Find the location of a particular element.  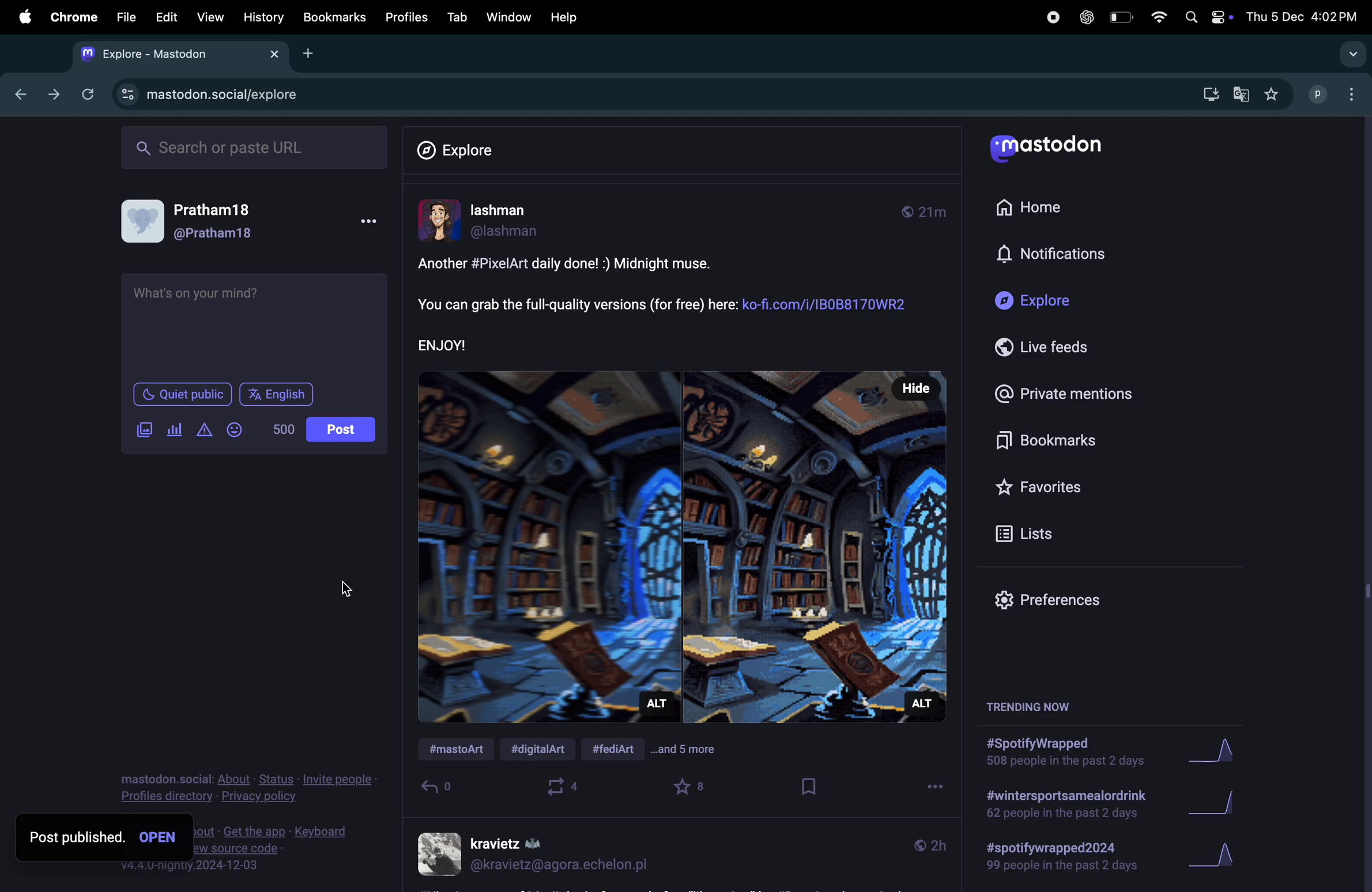

#mastdon is located at coordinates (458, 751).